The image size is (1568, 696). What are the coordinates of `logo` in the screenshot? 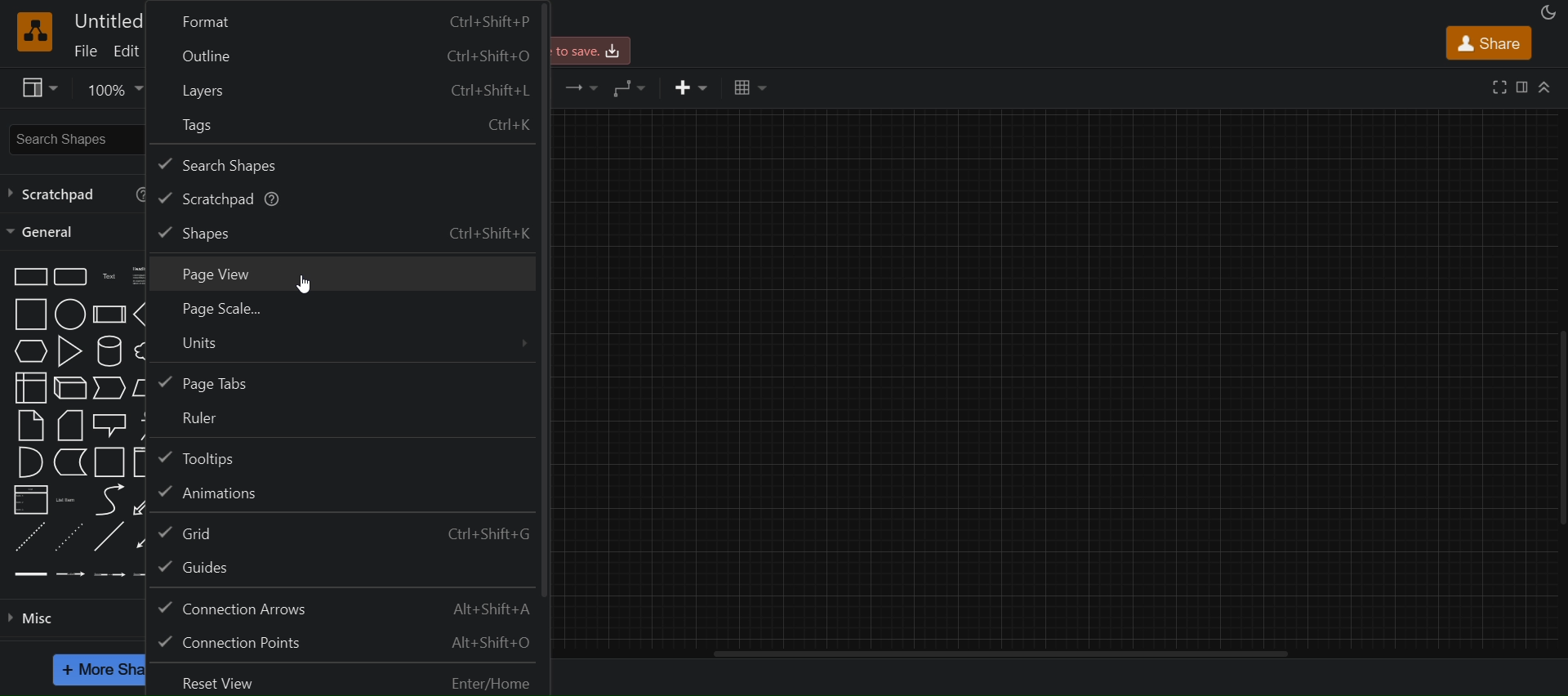 It's located at (33, 30).